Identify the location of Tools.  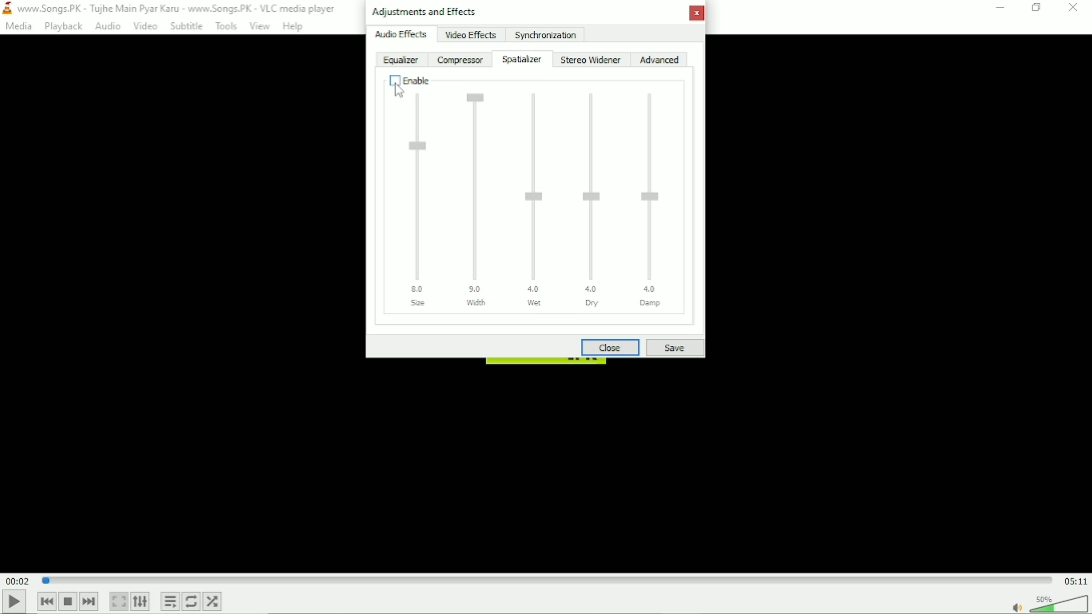
(226, 26).